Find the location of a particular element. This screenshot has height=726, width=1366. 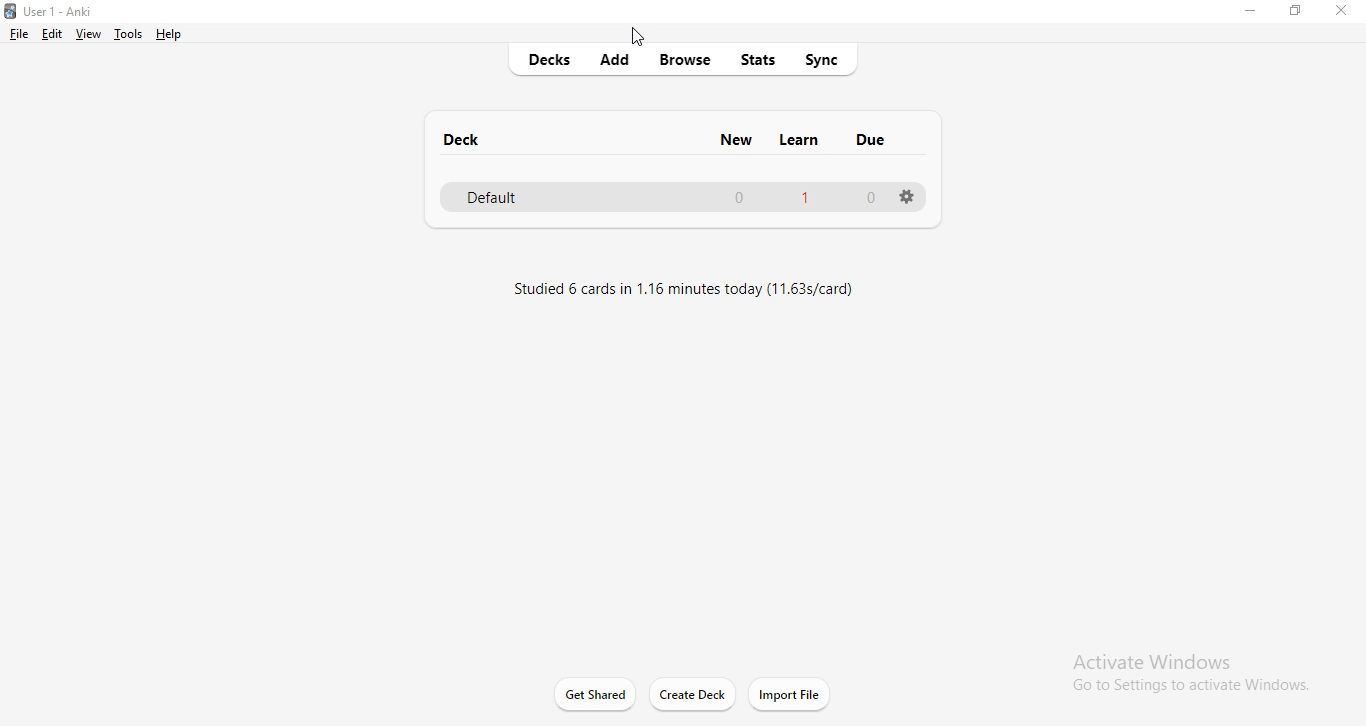

sync is located at coordinates (823, 58).